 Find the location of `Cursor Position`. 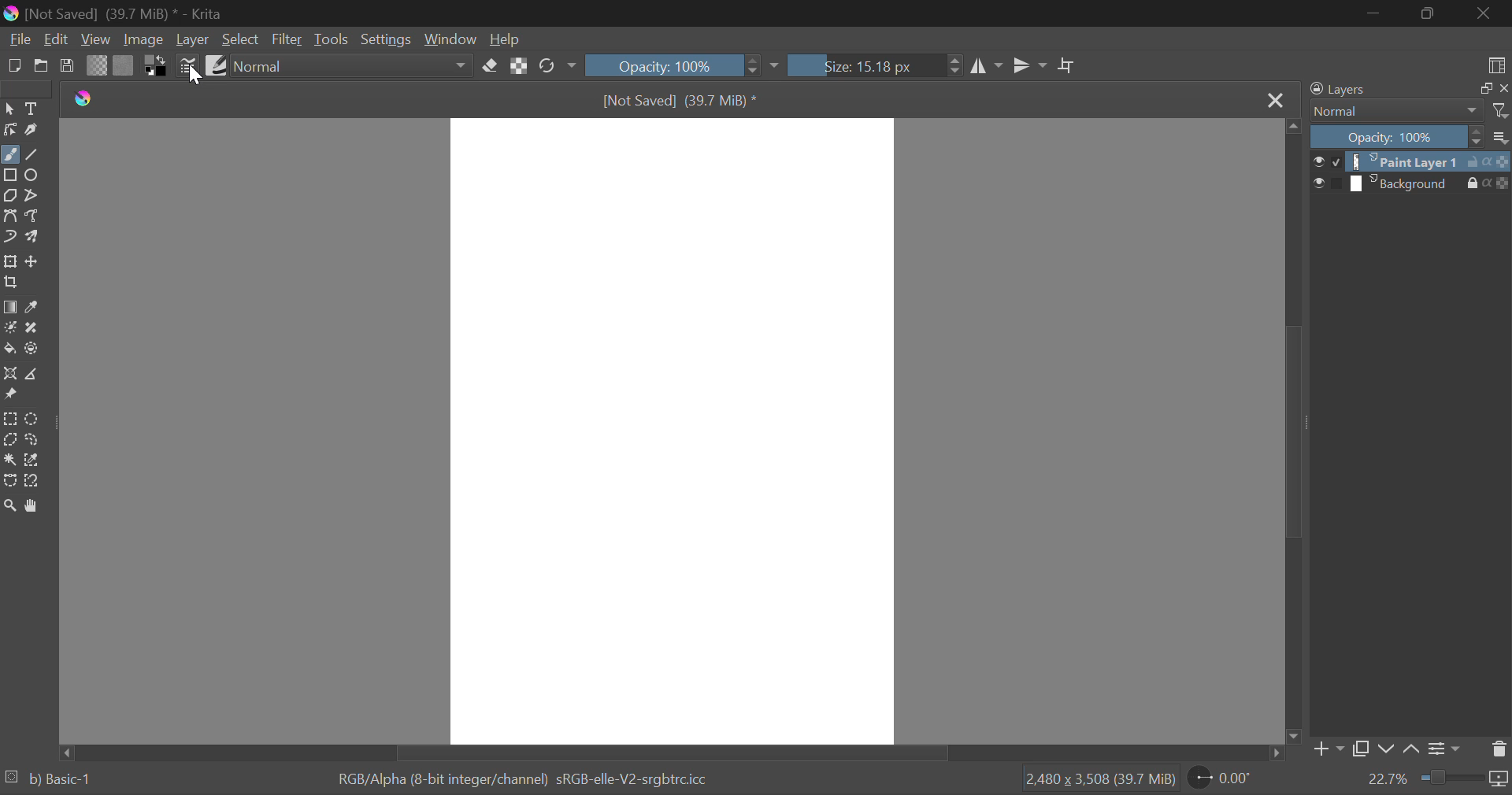

Cursor Position is located at coordinates (195, 75).